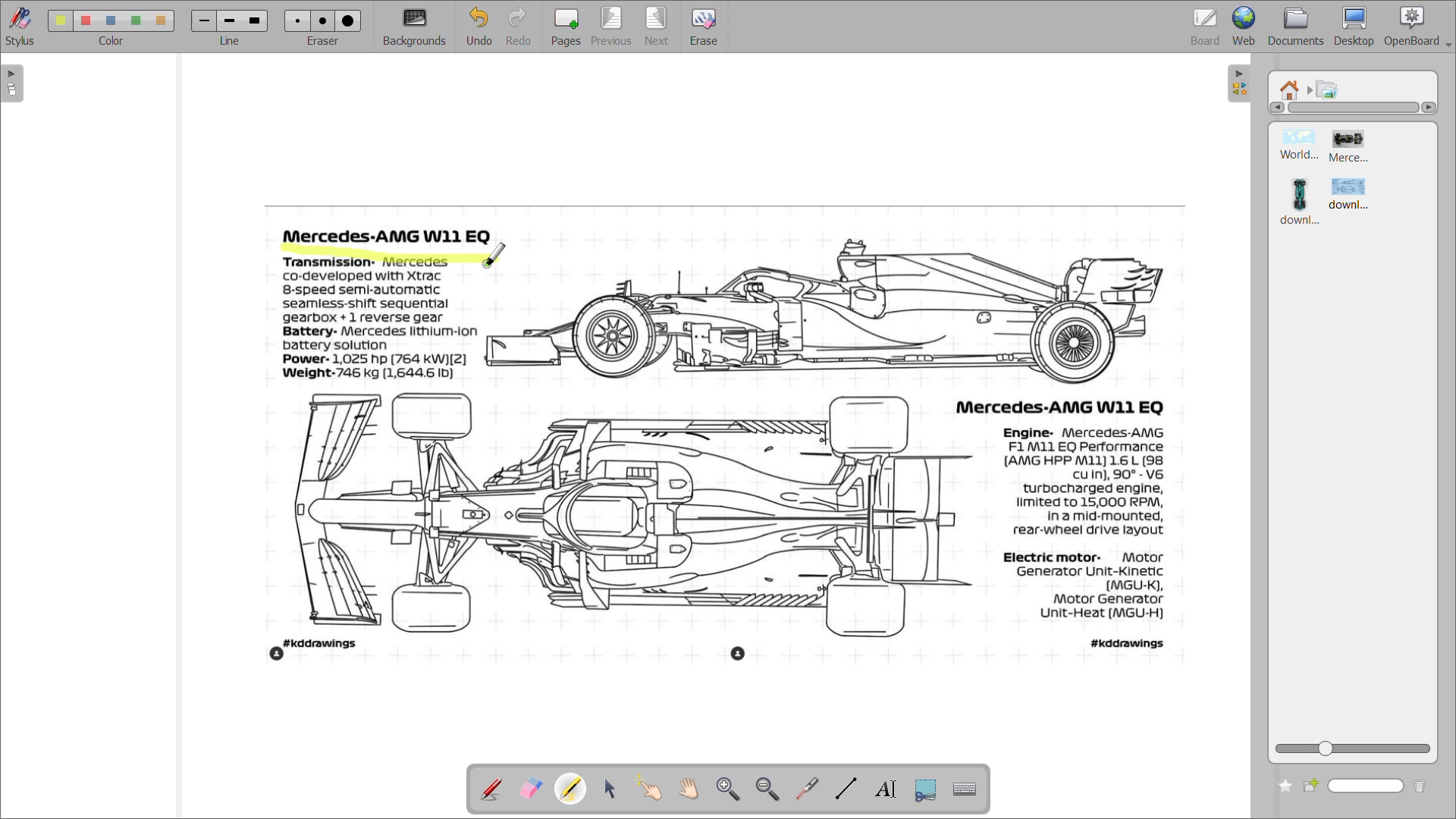 The image size is (1456, 819). I want to click on zoom in, so click(733, 789).